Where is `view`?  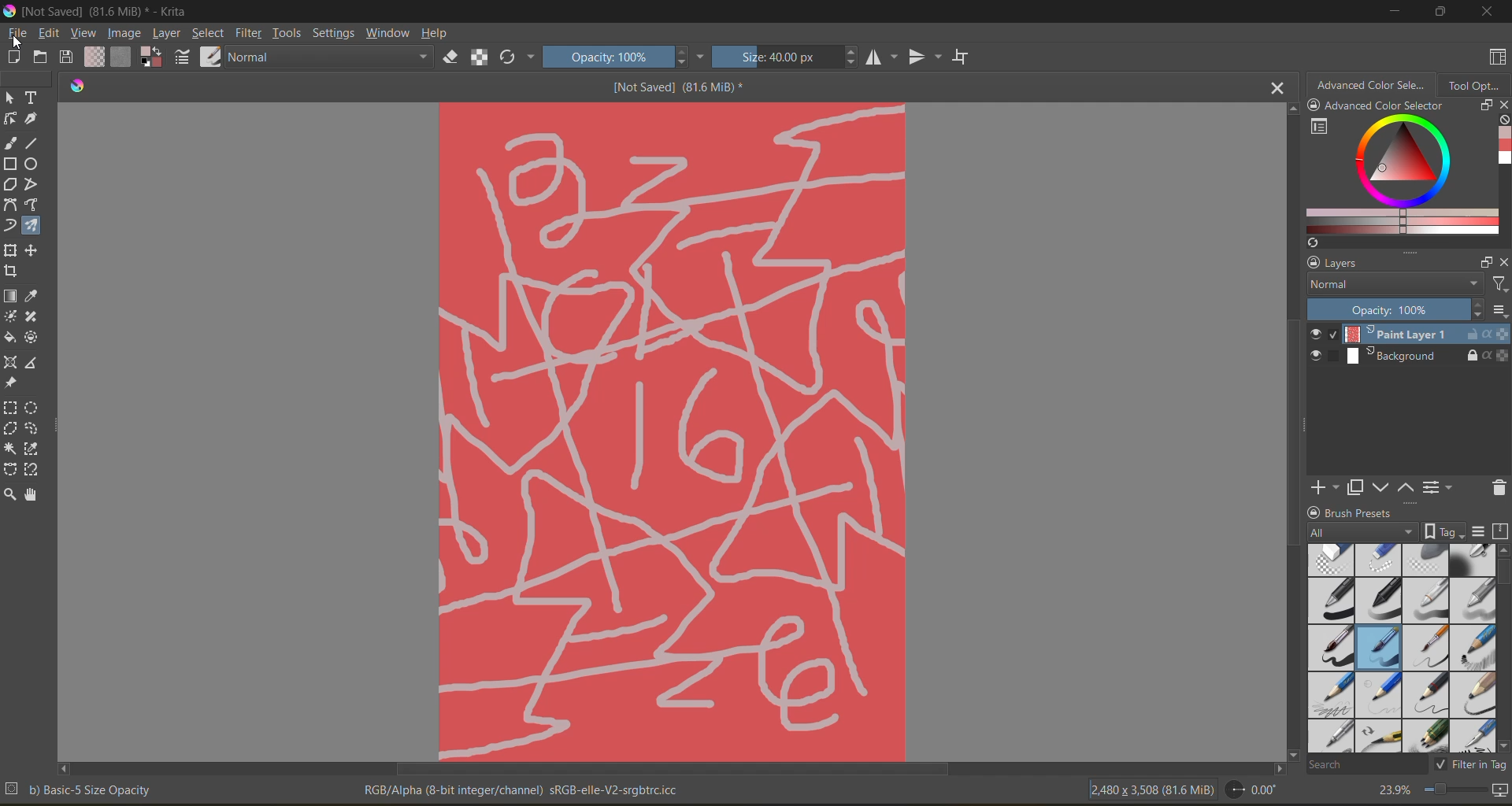
view is located at coordinates (84, 33).